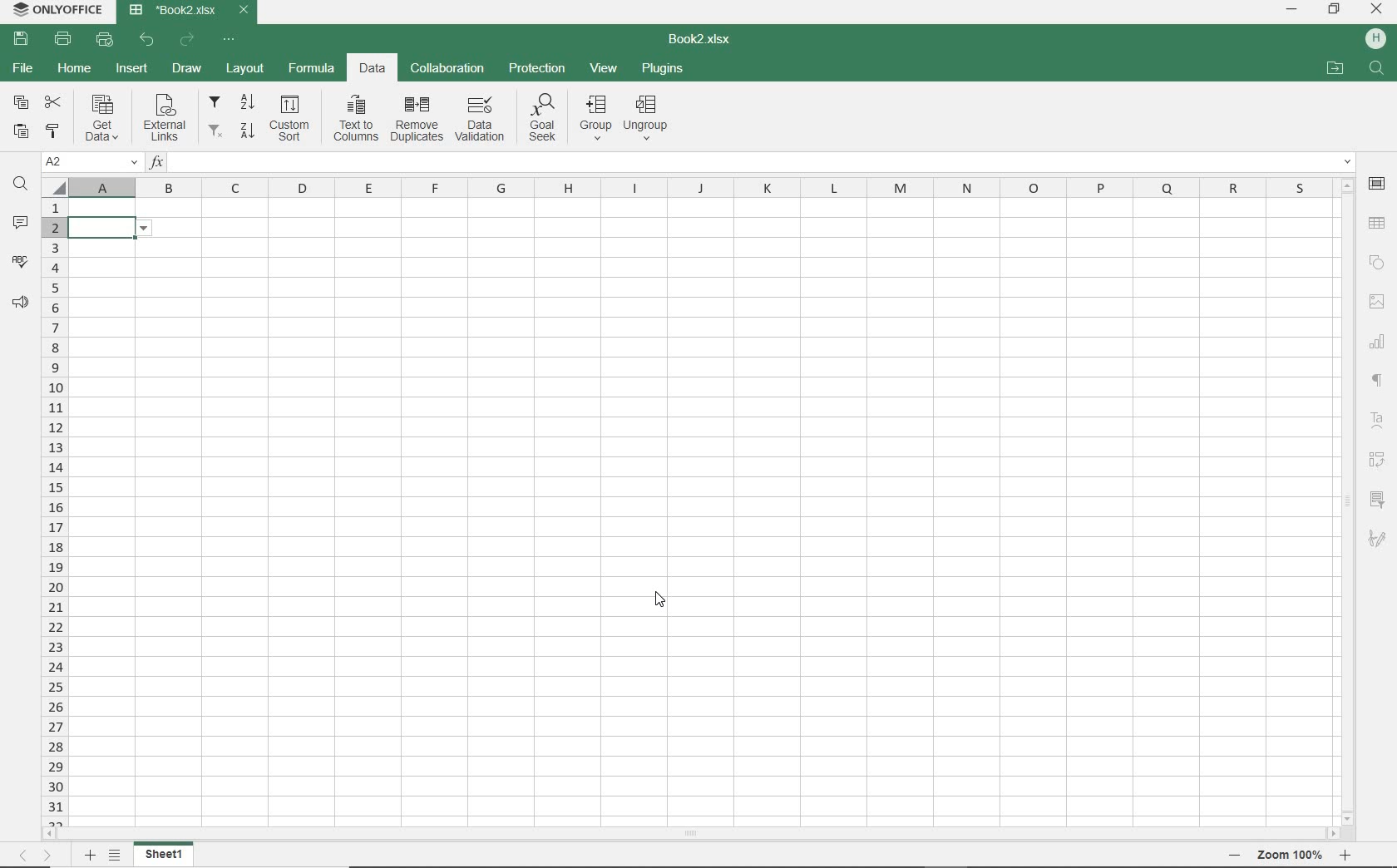  What do you see at coordinates (480, 116) in the screenshot?
I see `data validation` at bounding box center [480, 116].